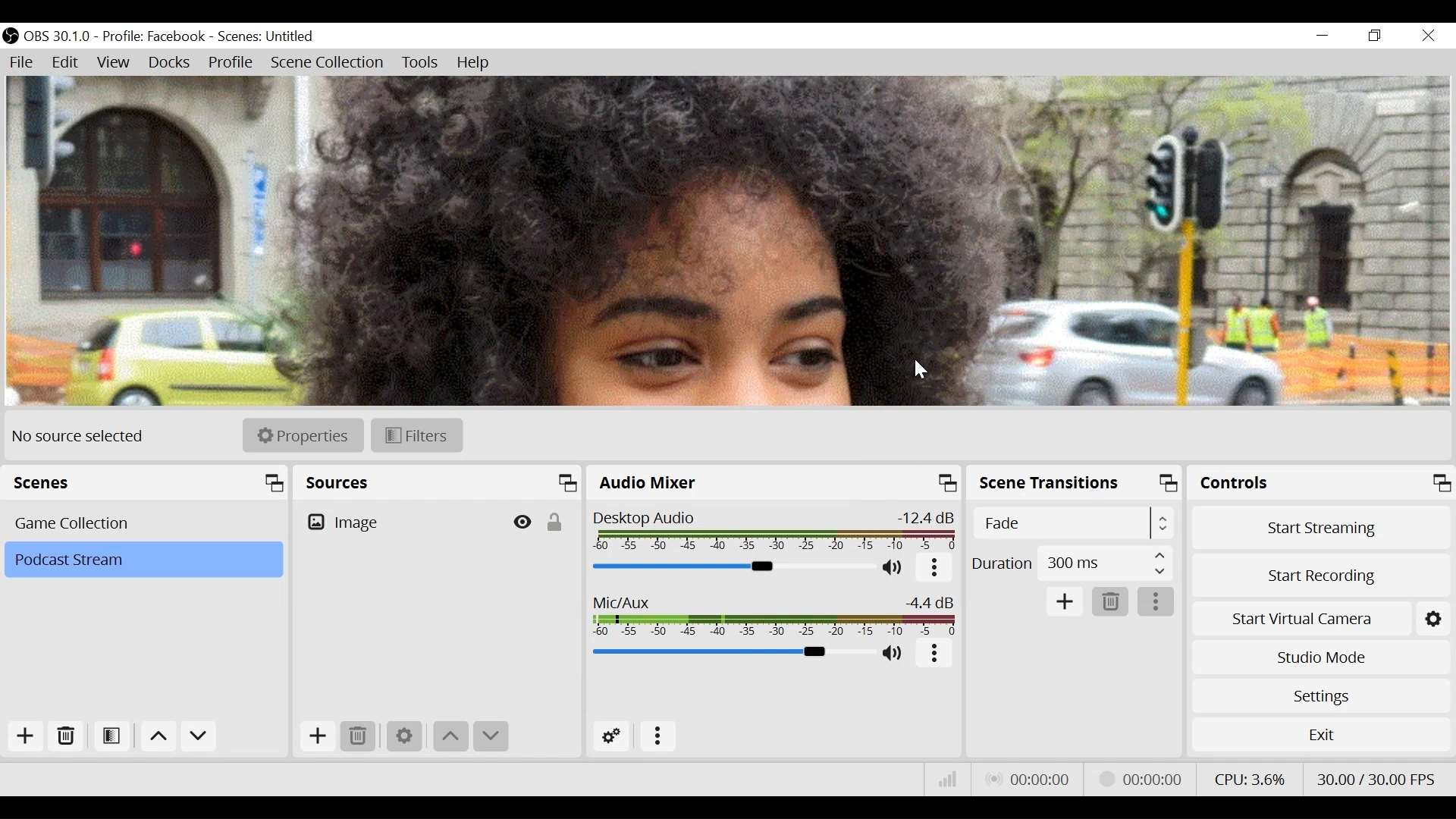 The image size is (1456, 819). I want to click on Hide/Display, so click(520, 523).